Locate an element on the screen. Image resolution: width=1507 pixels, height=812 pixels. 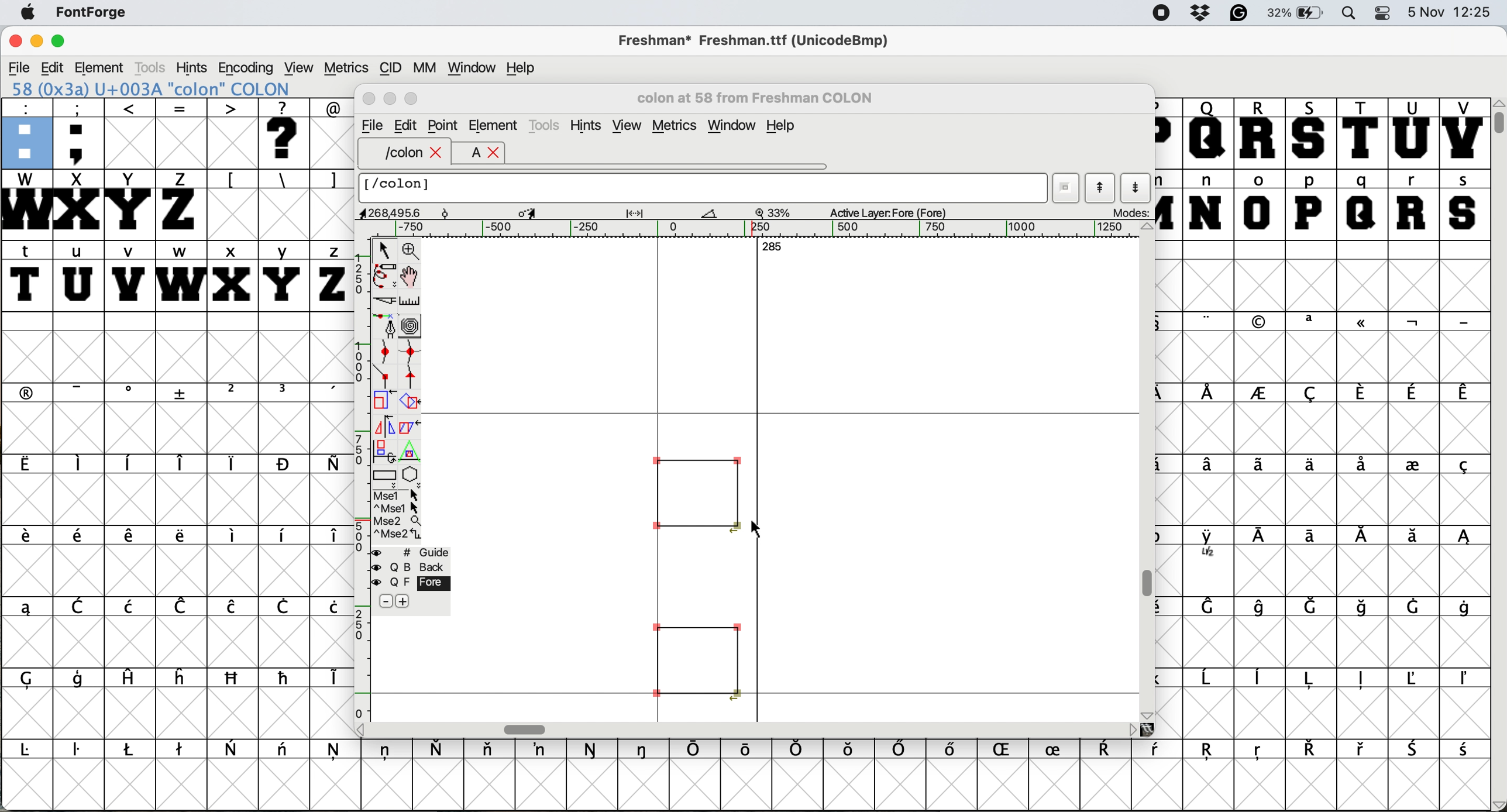
select is located at coordinates (382, 250).